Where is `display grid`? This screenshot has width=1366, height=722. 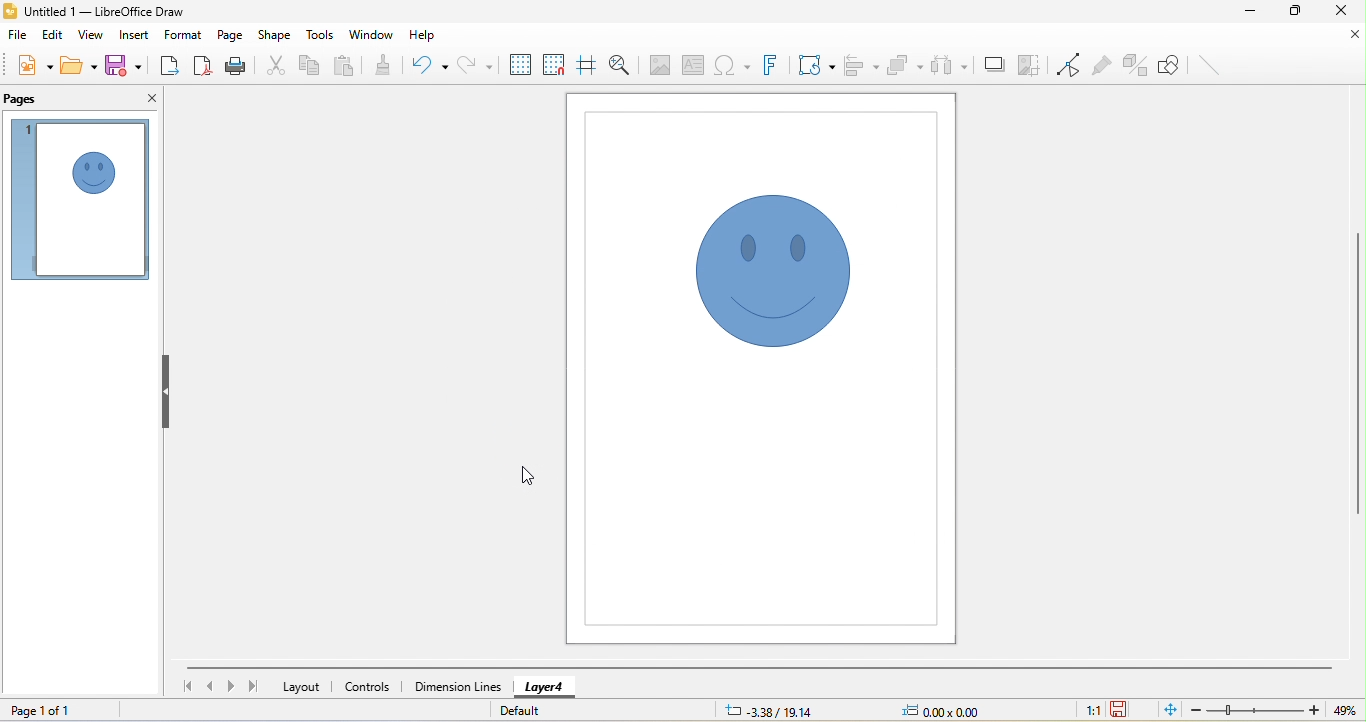 display grid is located at coordinates (522, 65).